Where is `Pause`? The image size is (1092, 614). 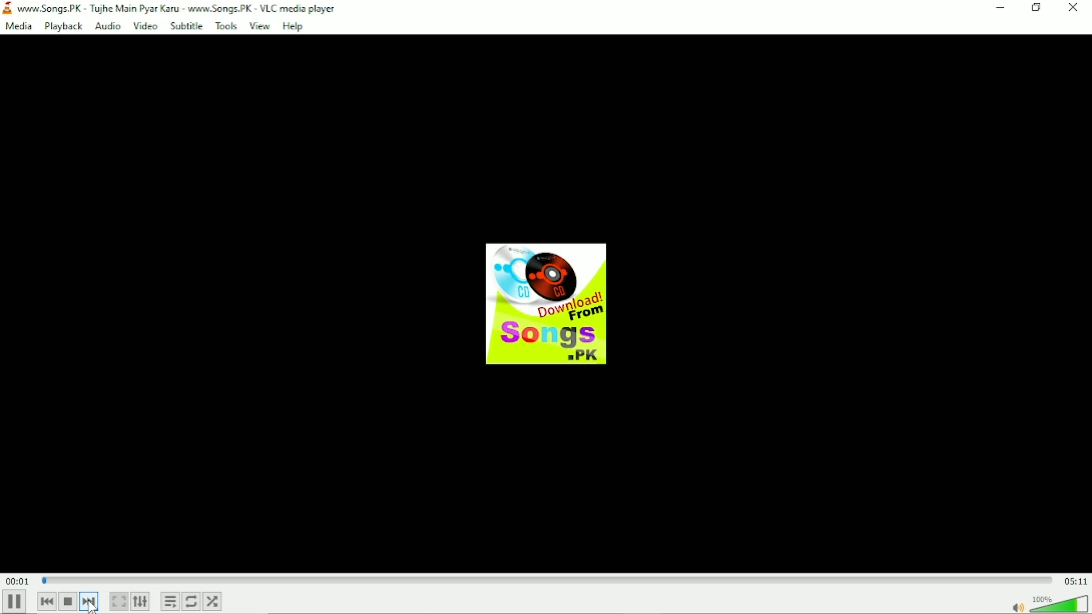
Pause is located at coordinates (14, 603).